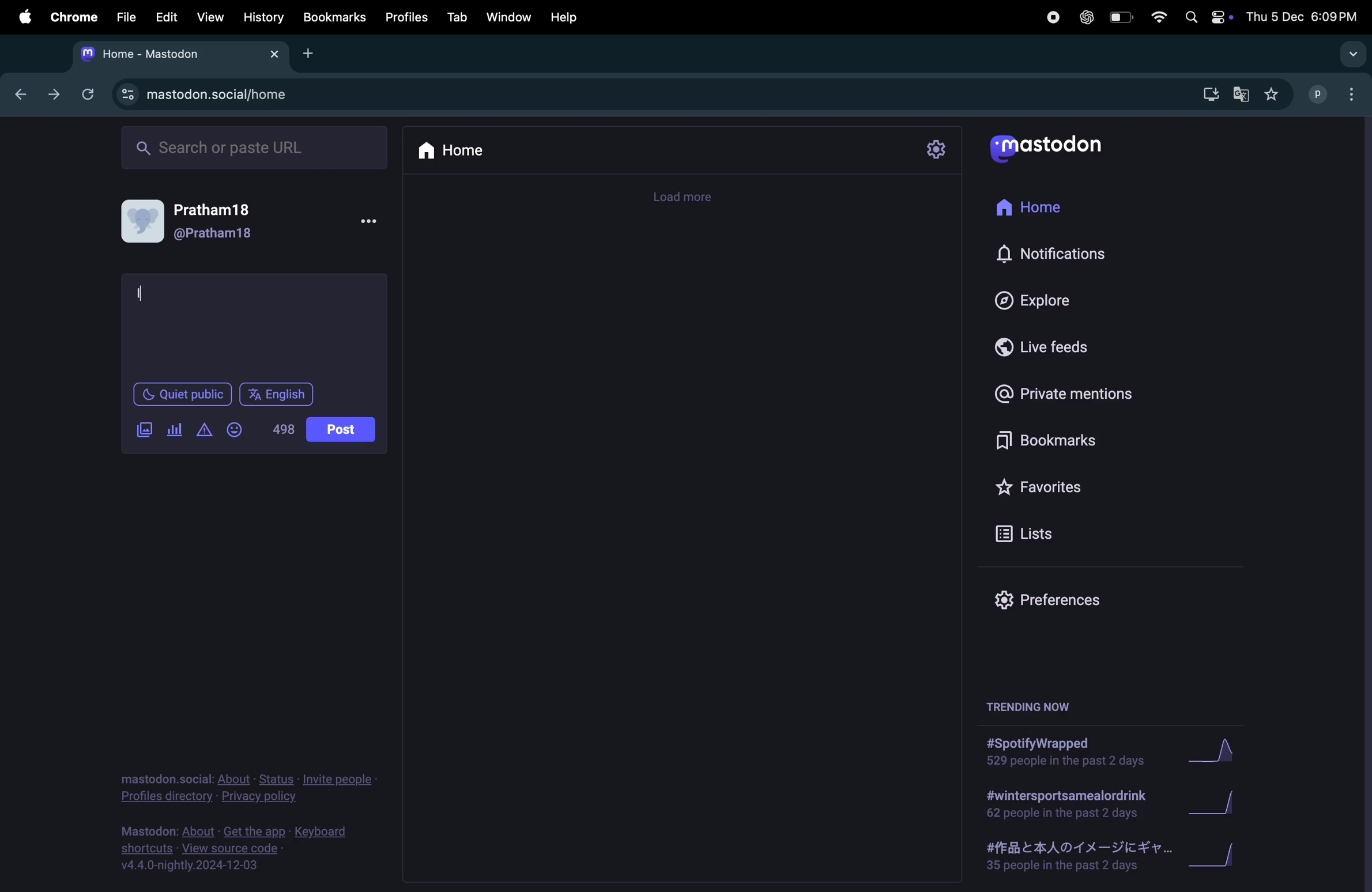  Describe the element at coordinates (205, 430) in the screenshot. I see `alert` at that location.